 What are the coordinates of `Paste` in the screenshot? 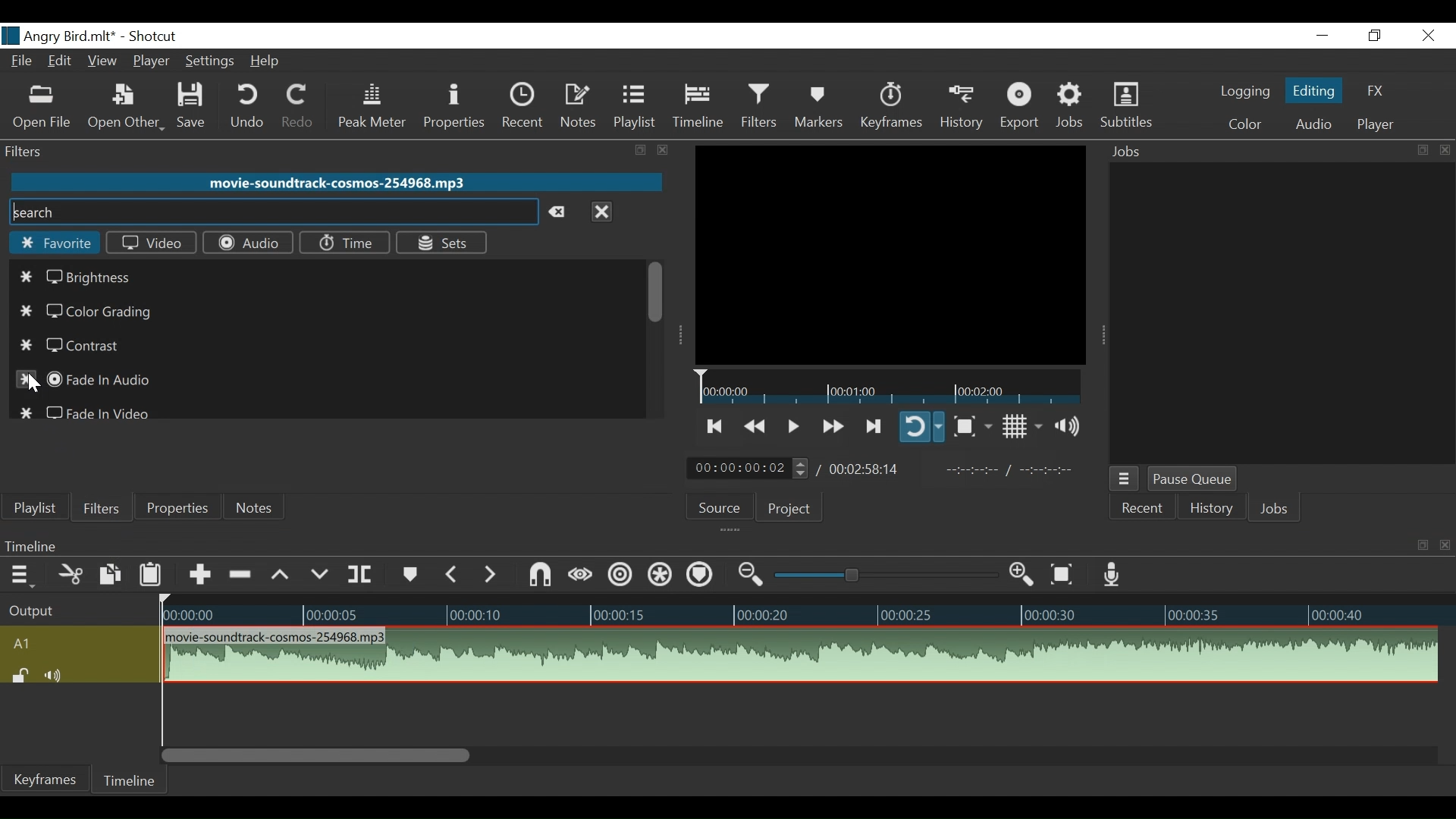 It's located at (152, 574).